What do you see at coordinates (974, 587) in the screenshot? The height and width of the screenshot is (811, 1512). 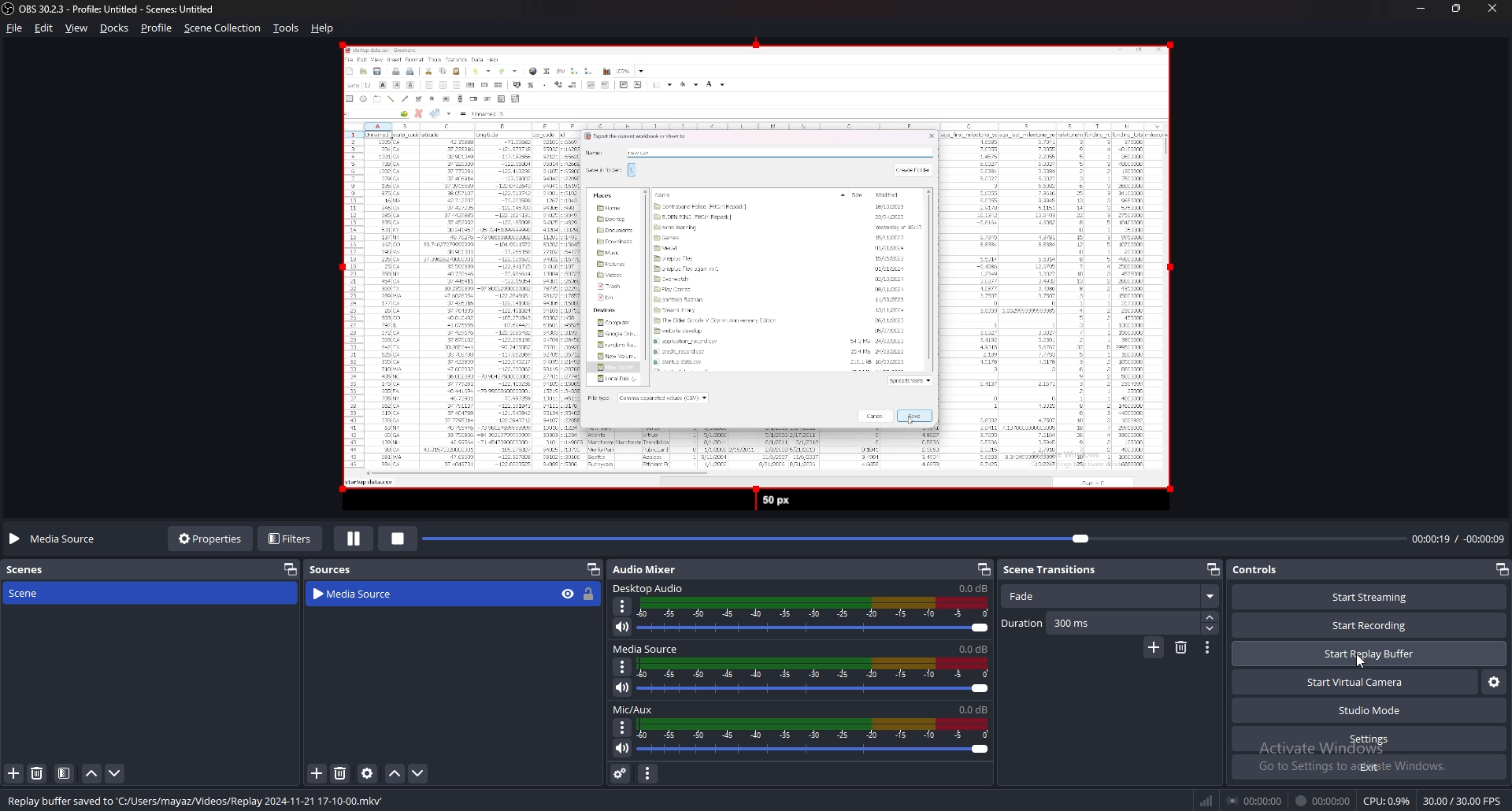 I see `0.0db` at bounding box center [974, 587].